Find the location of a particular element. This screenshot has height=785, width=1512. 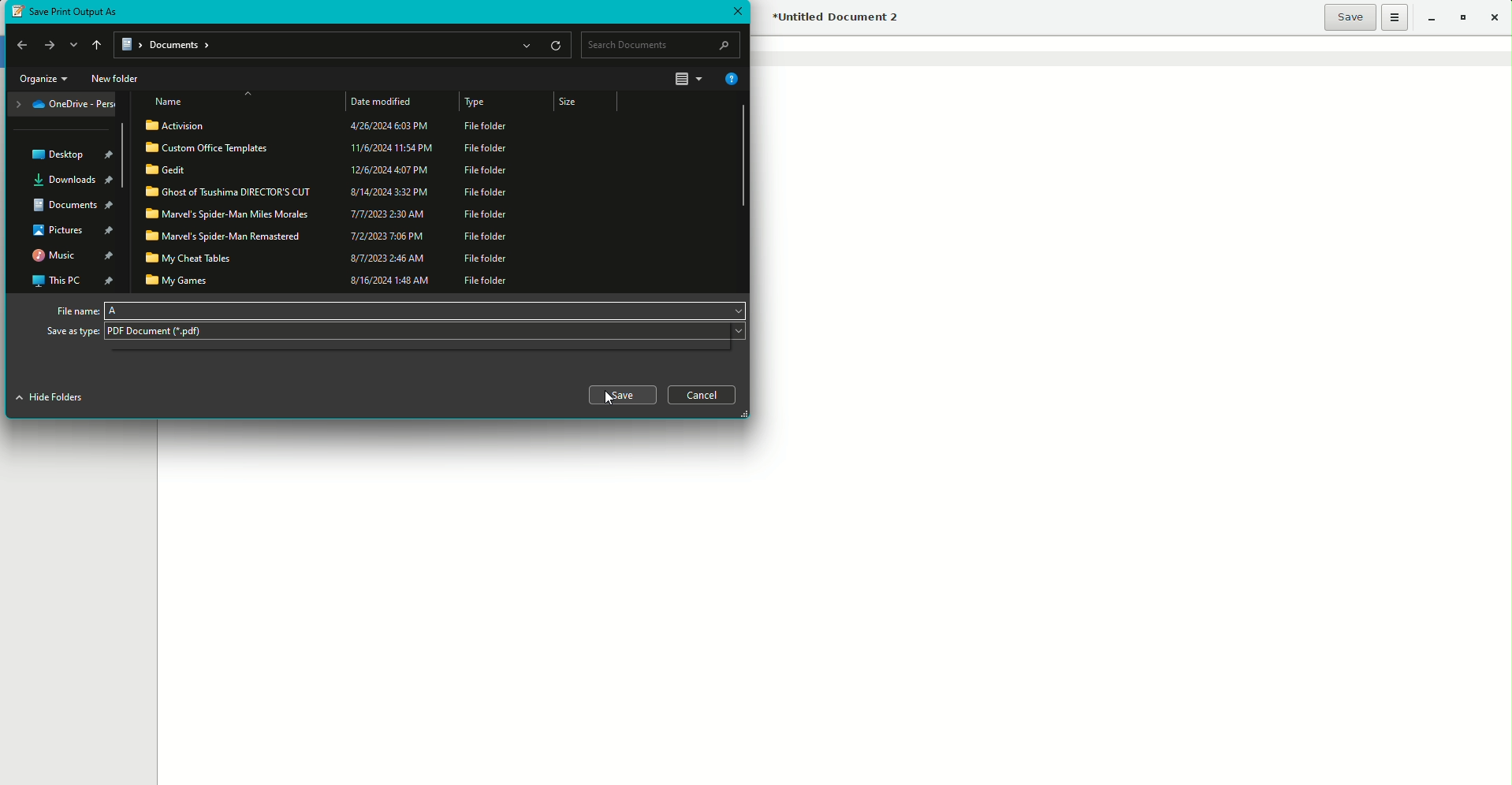

Help is located at coordinates (730, 79).